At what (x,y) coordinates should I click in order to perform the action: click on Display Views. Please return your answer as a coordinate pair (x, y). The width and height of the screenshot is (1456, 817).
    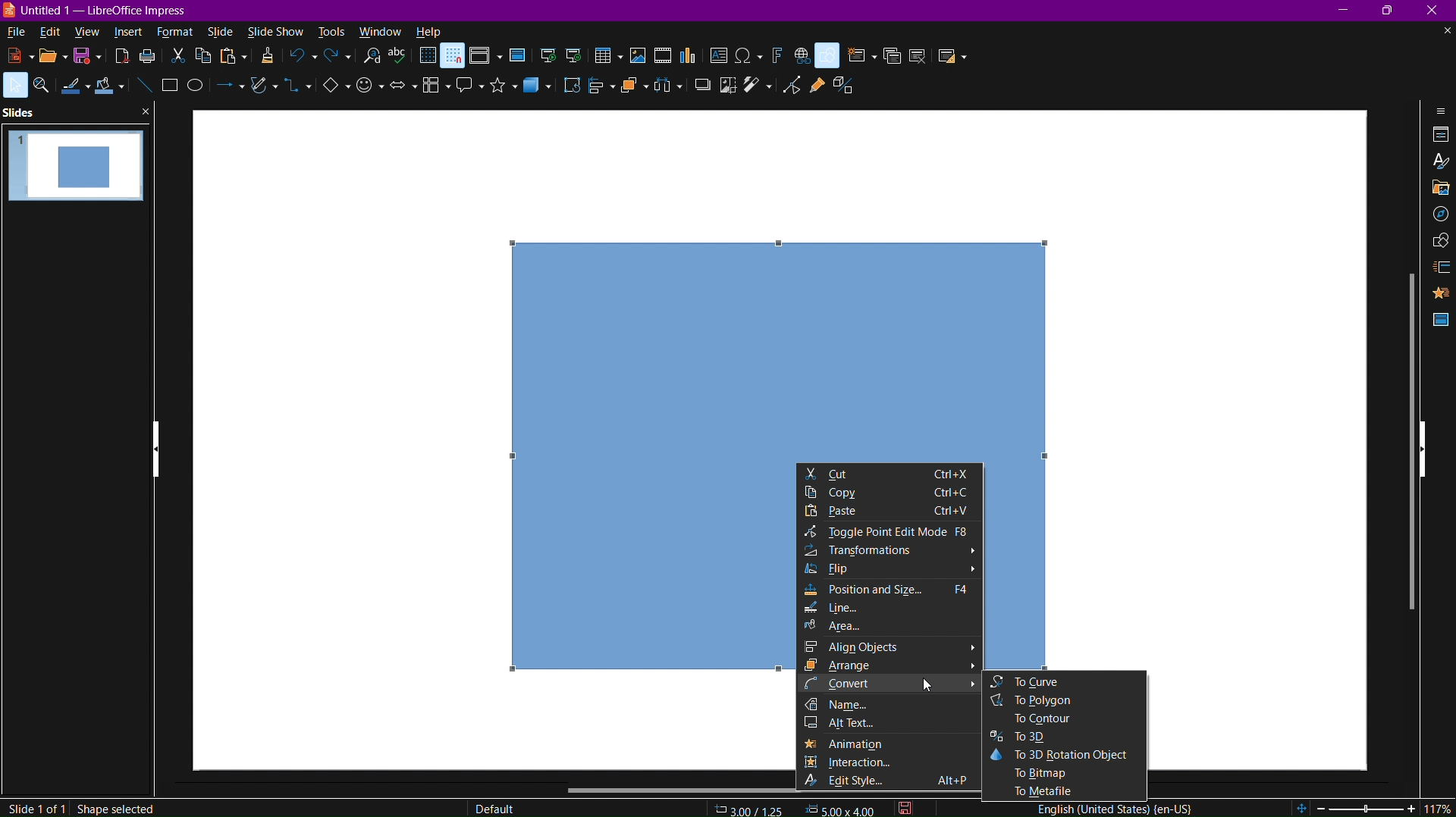
    Looking at the image, I should click on (485, 57).